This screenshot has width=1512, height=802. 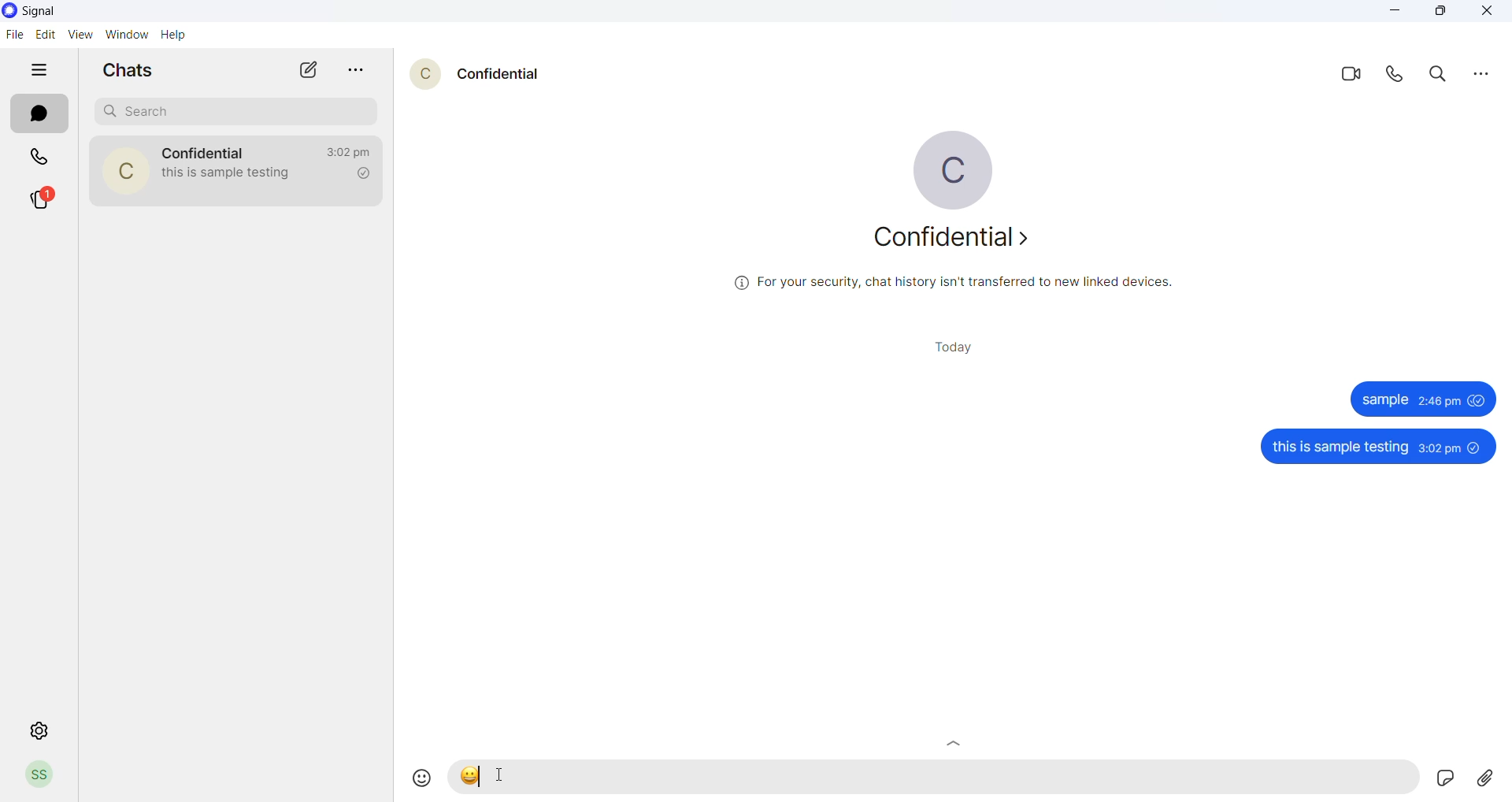 What do you see at coordinates (1437, 13) in the screenshot?
I see `maximize` at bounding box center [1437, 13].